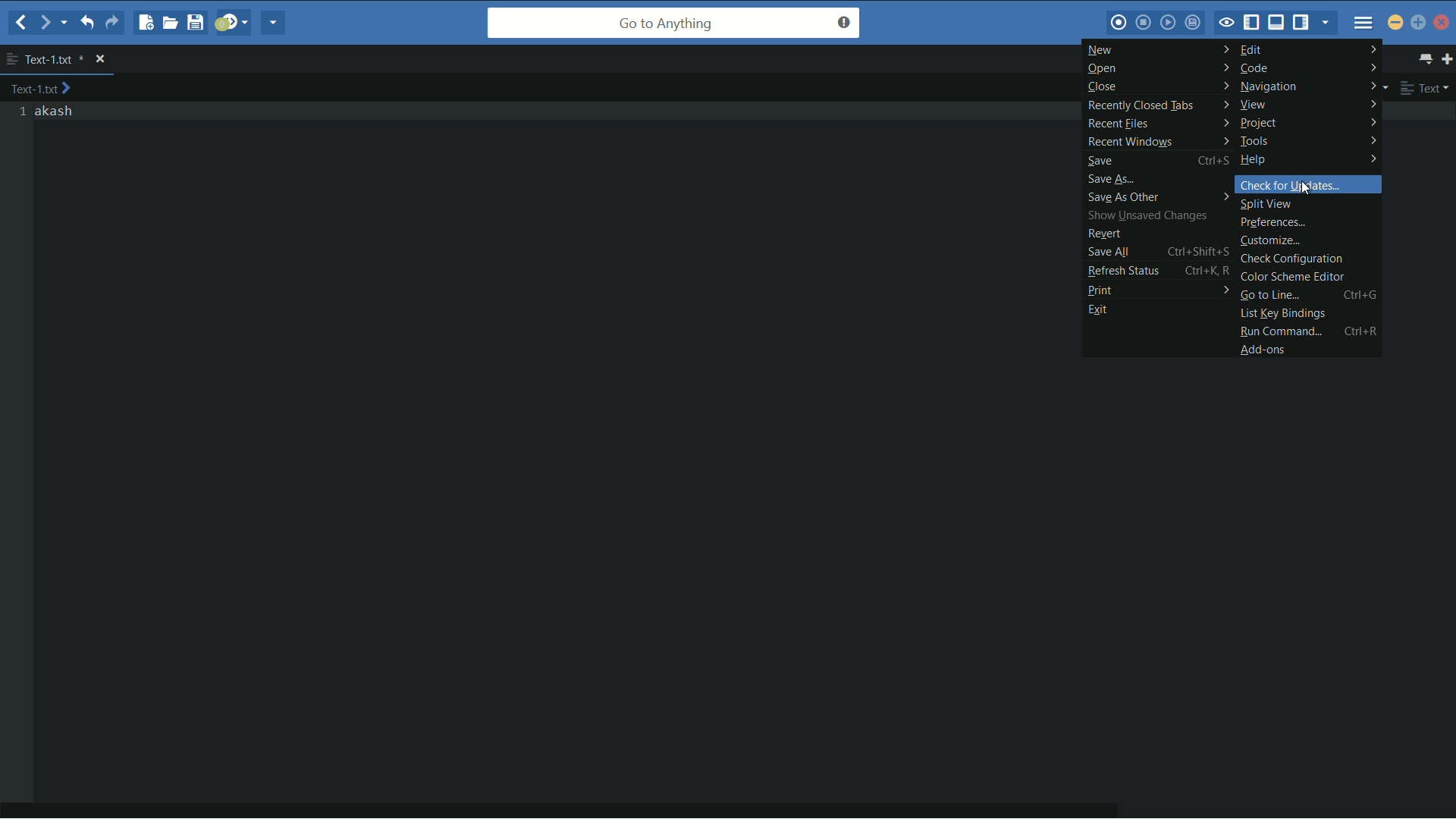 This screenshot has height=819, width=1456. What do you see at coordinates (1156, 252) in the screenshot?
I see `save all` at bounding box center [1156, 252].